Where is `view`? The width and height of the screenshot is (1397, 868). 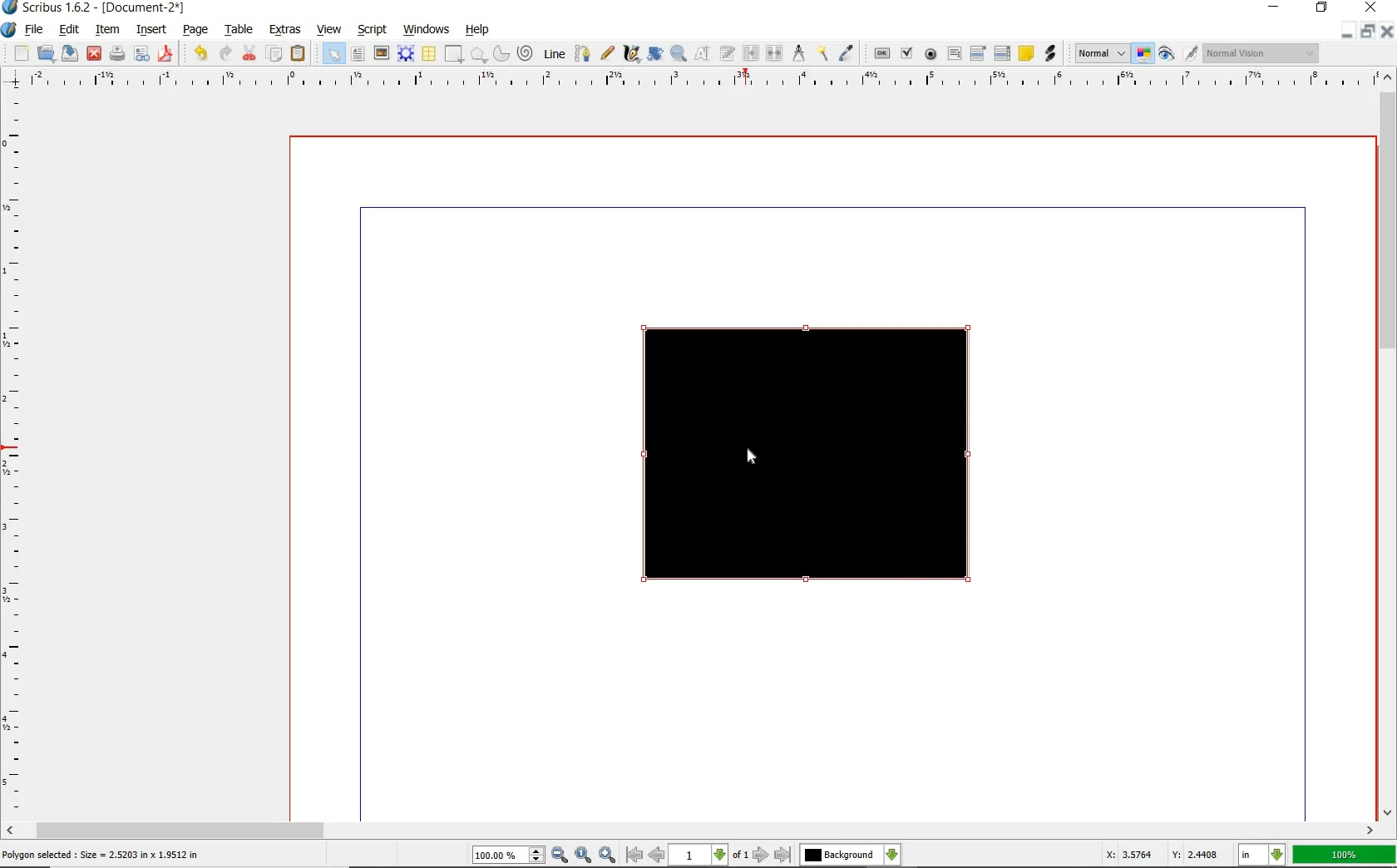 view is located at coordinates (329, 29).